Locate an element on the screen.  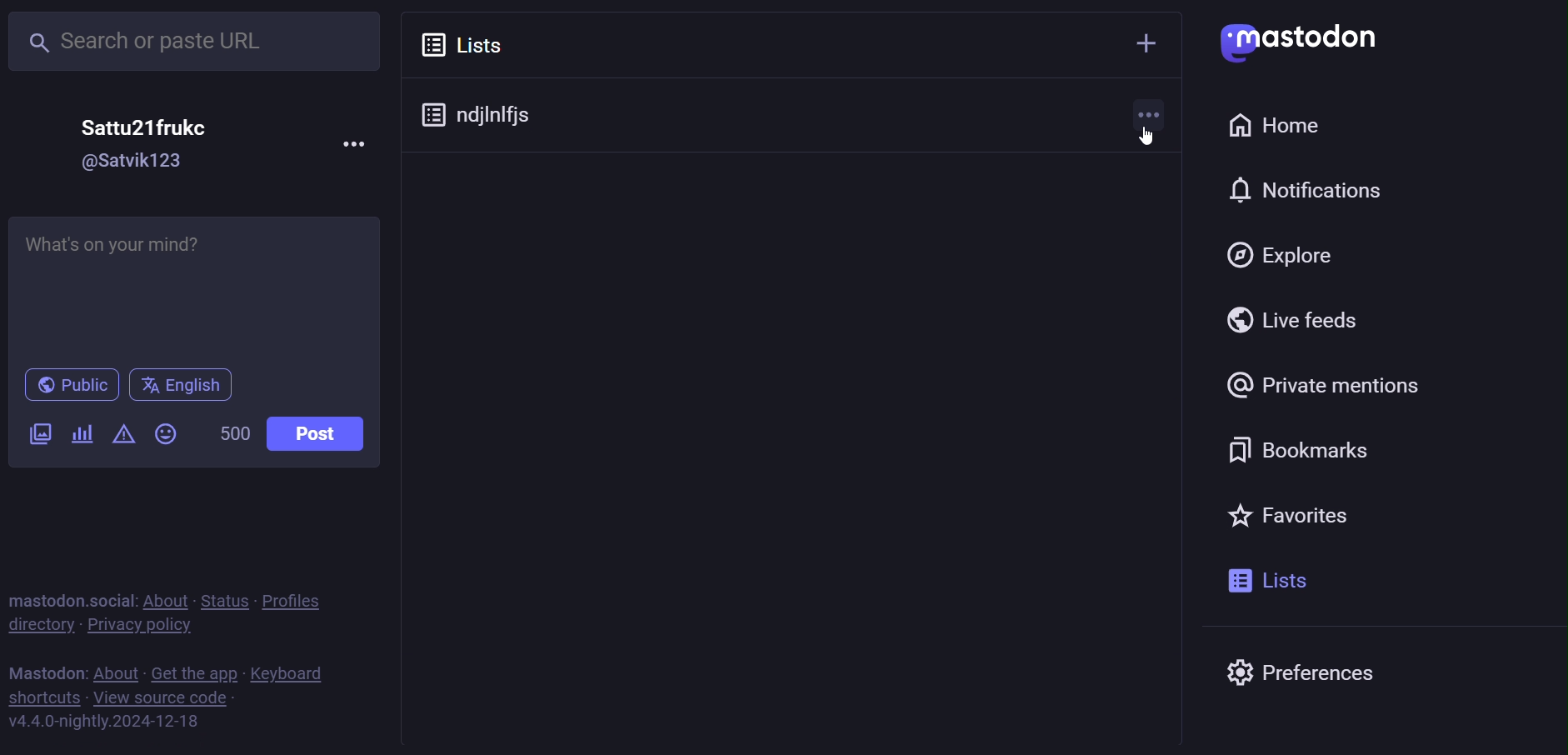
search or paste URL is located at coordinates (200, 37).